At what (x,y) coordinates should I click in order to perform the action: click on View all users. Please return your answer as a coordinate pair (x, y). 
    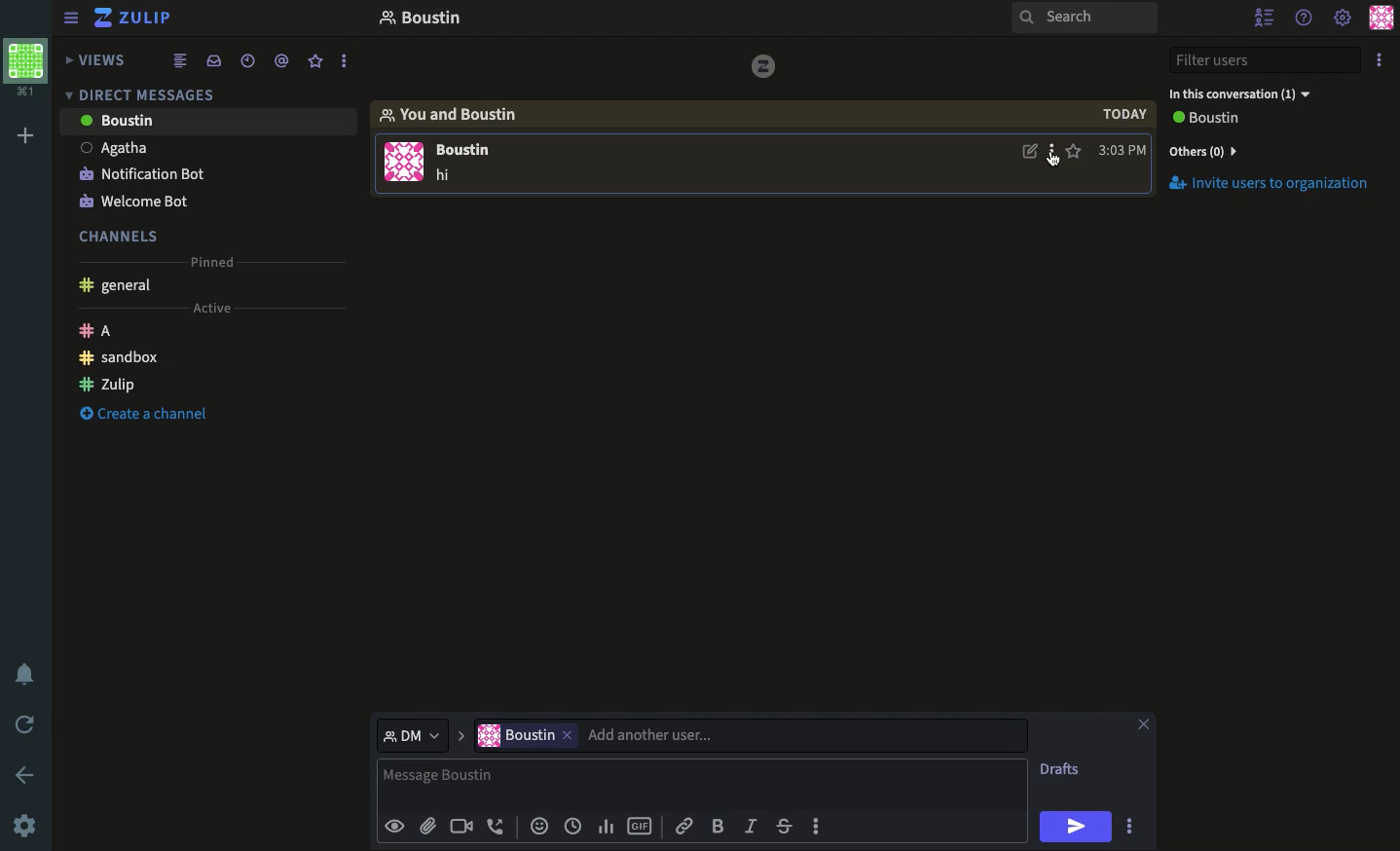
    Looking at the image, I should click on (1217, 120).